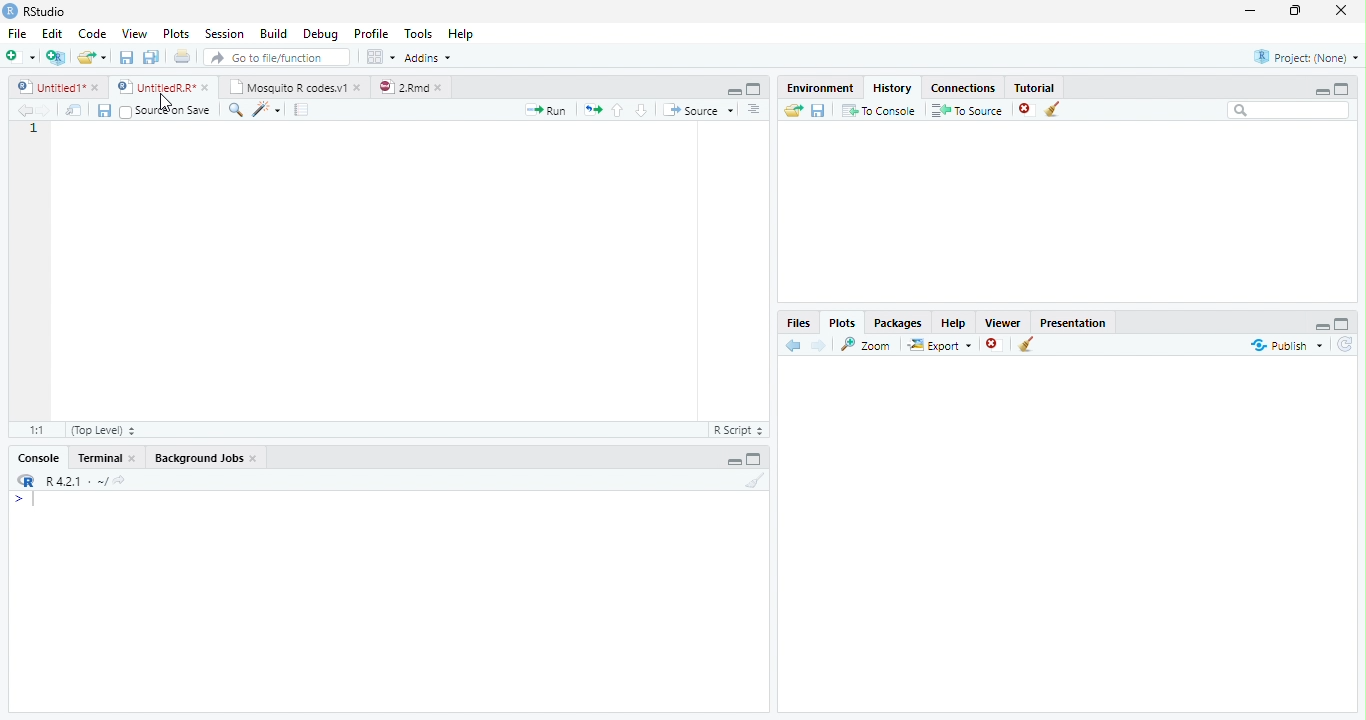 The image size is (1366, 720). Describe the element at coordinates (103, 110) in the screenshot. I see `Save` at that location.